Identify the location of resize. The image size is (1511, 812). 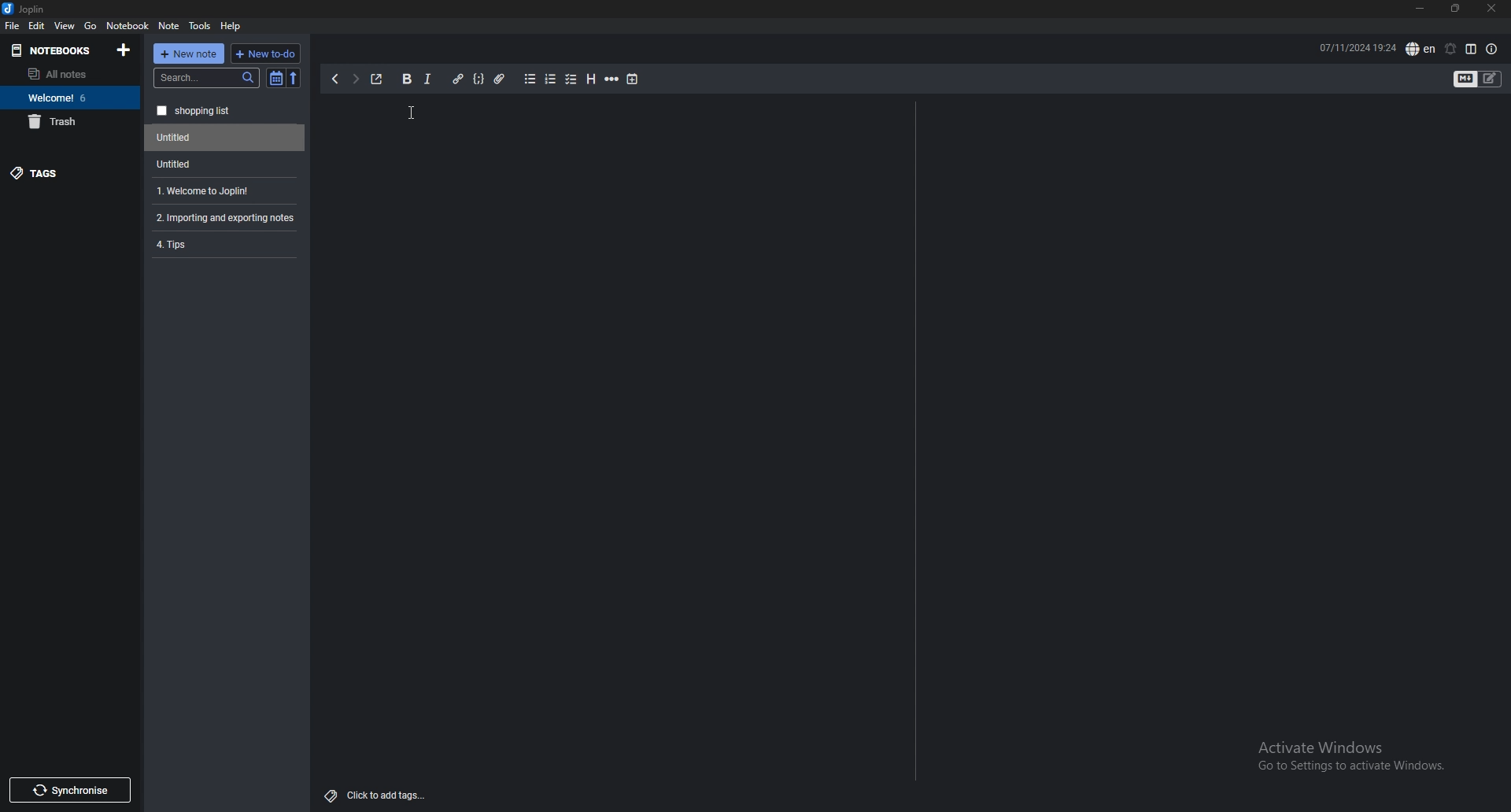
(1455, 9).